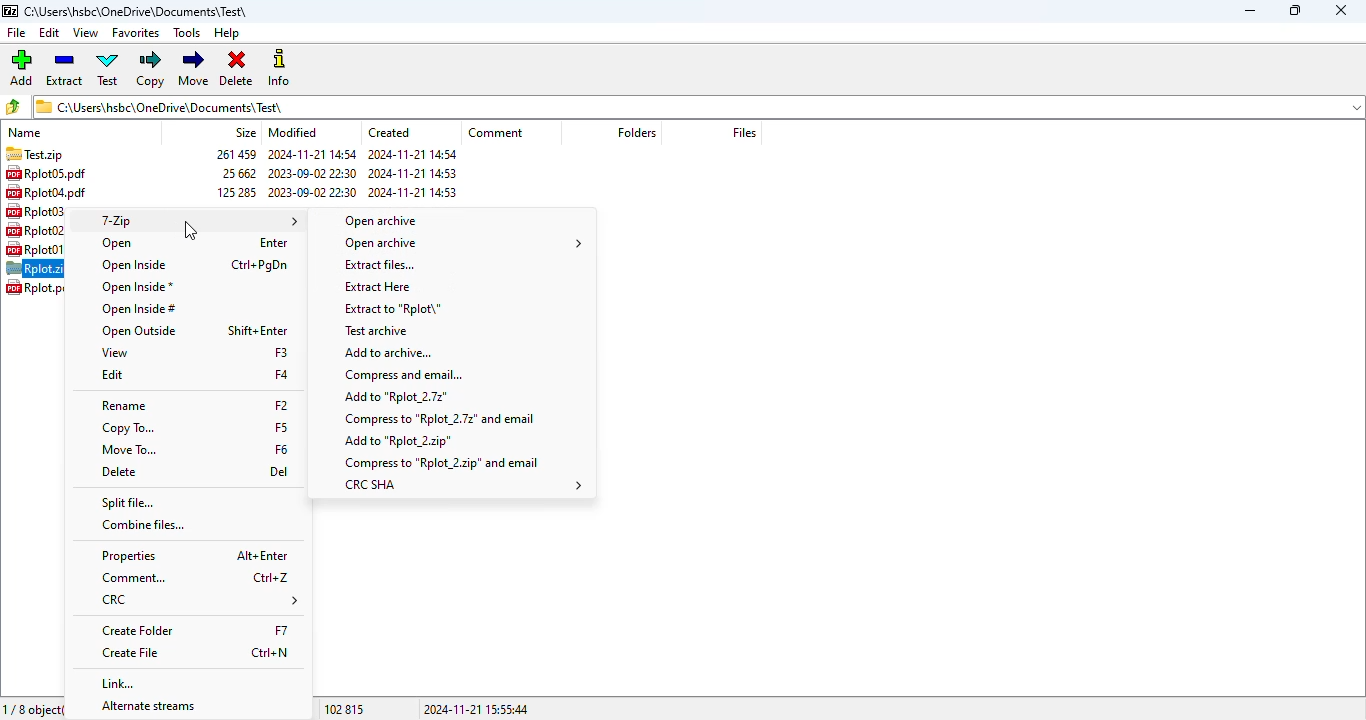 The image size is (1366, 720). Describe the element at coordinates (200, 221) in the screenshot. I see `7-Zip` at that location.